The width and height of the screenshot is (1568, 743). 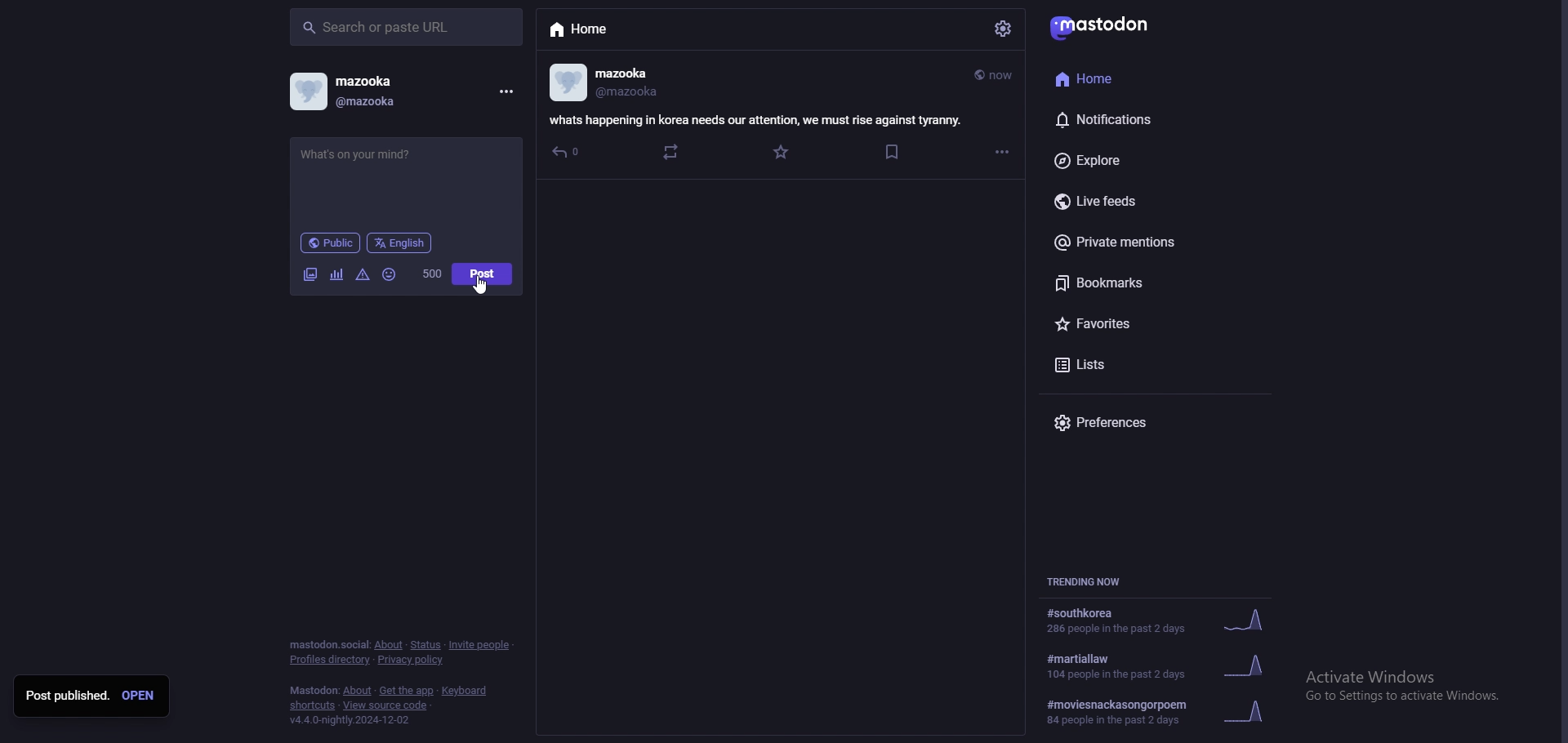 What do you see at coordinates (433, 274) in the screenshot?
I see `word limit` at bounding box center [433, 274].